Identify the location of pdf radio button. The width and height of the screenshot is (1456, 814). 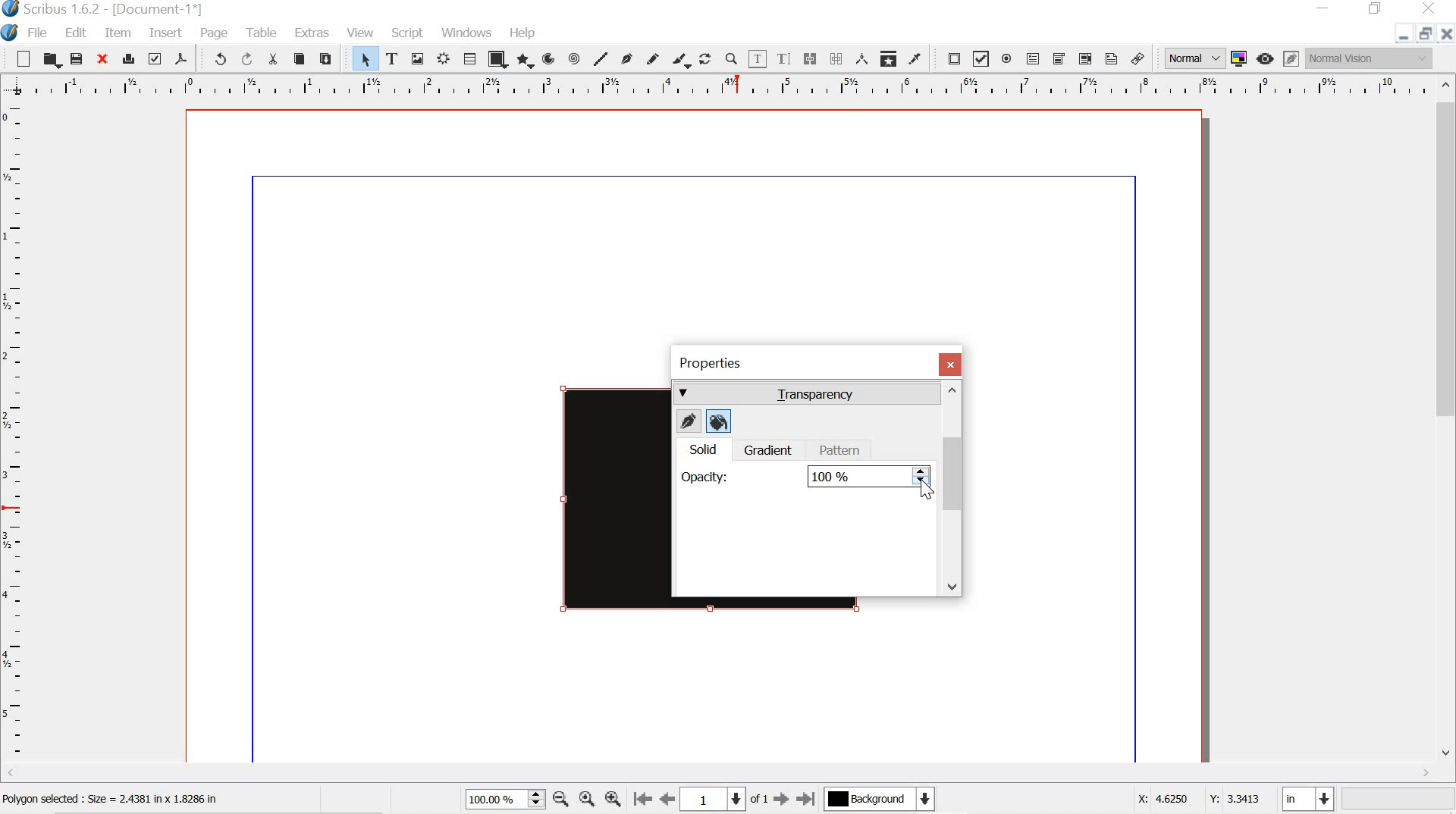
(1007, 58).